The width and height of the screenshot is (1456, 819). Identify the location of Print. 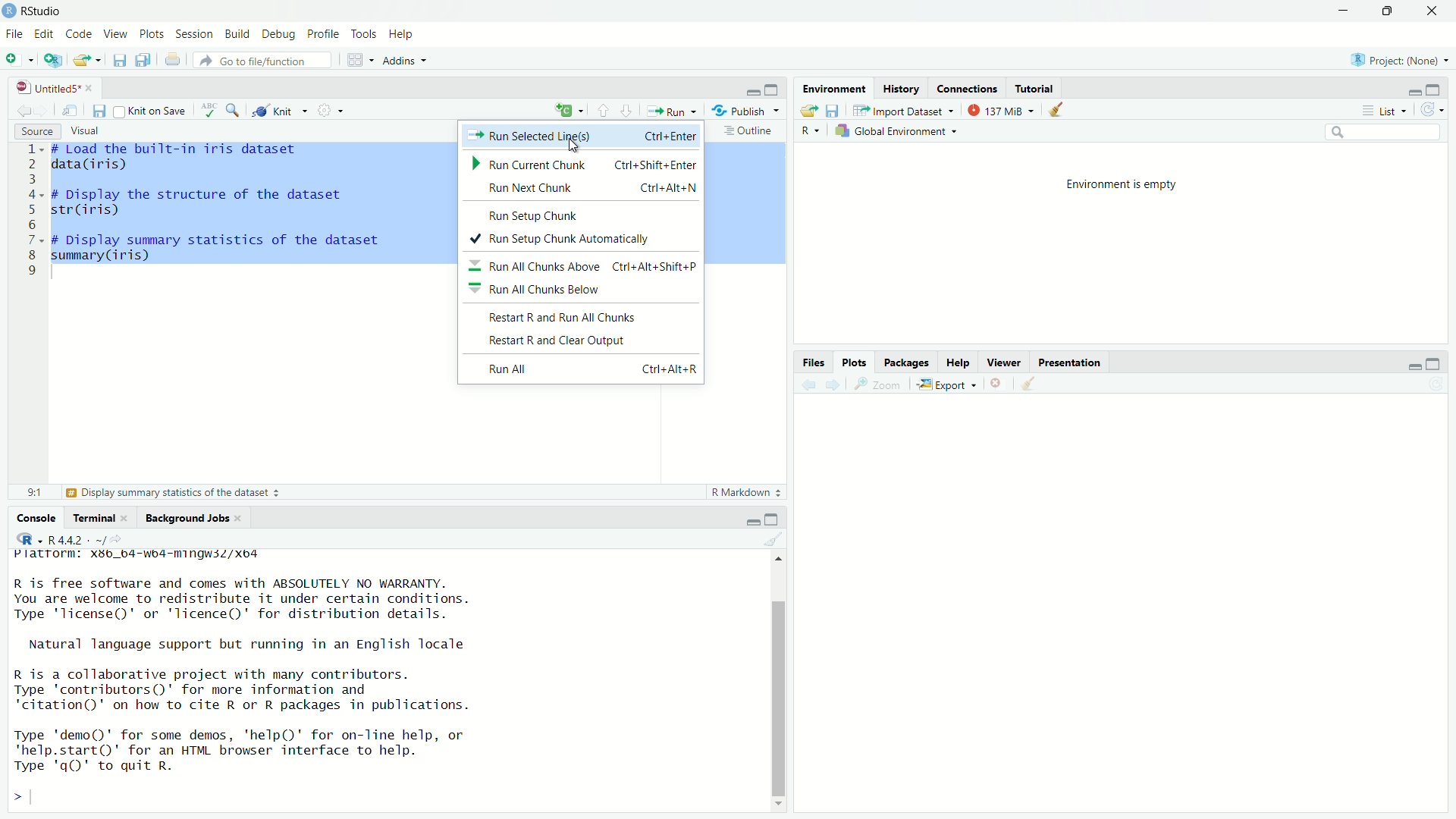
(172, 58).